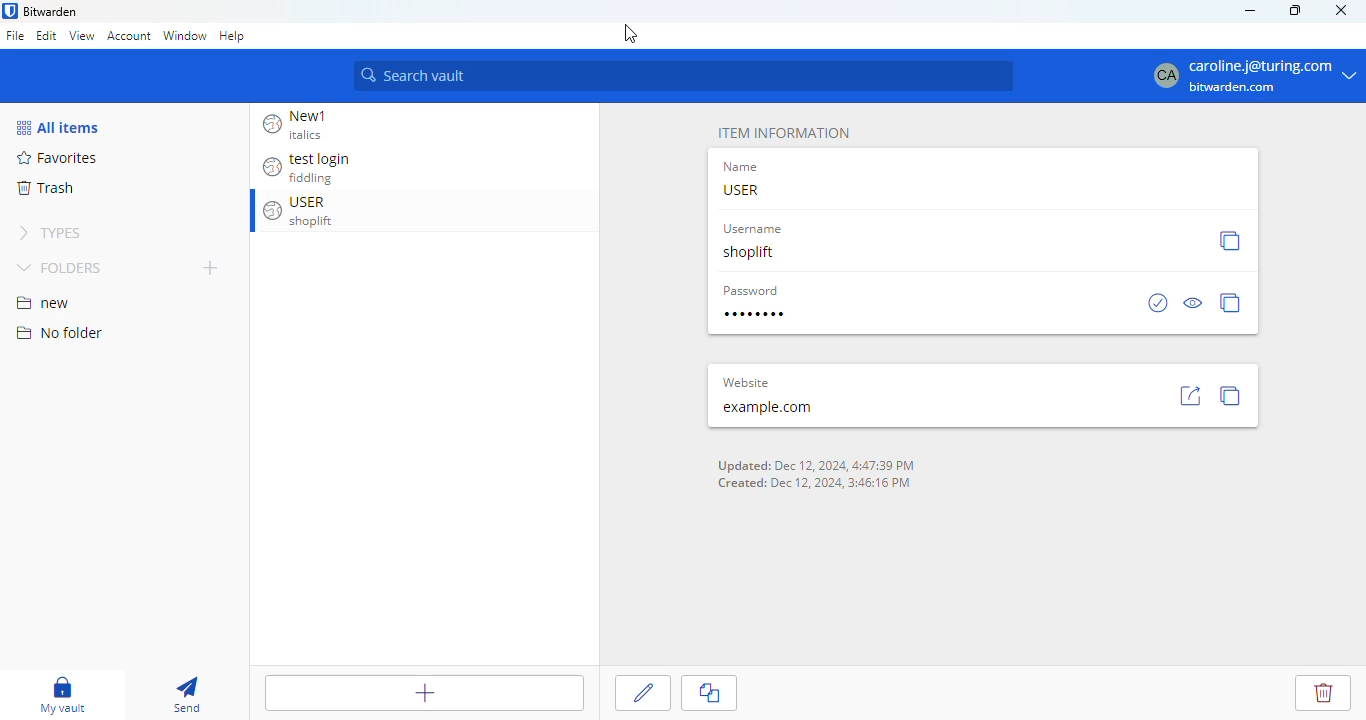  I want to click on file, so click(15, 35).